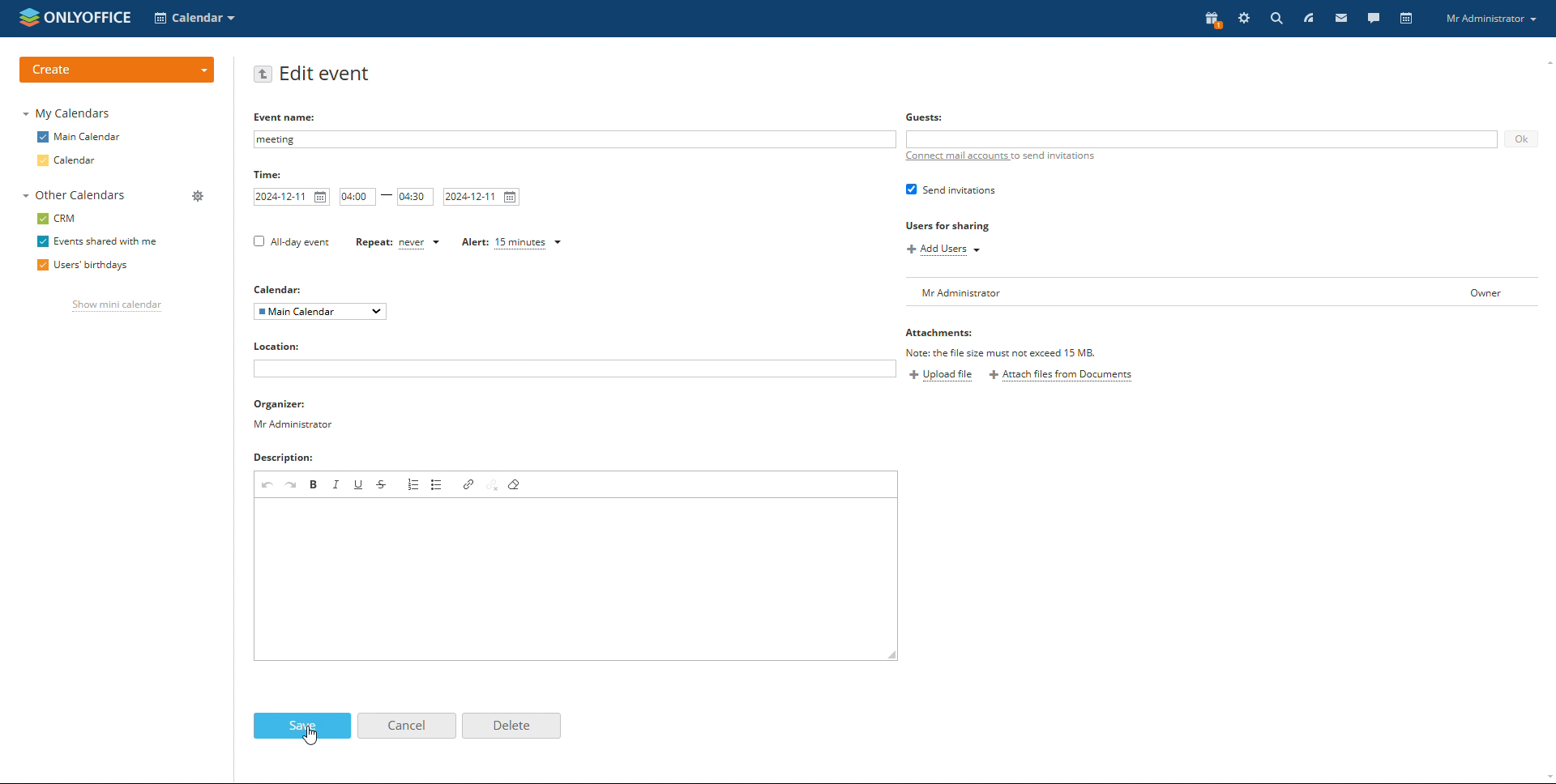  I want to click on onlyoffice logo, so click(30, 19).